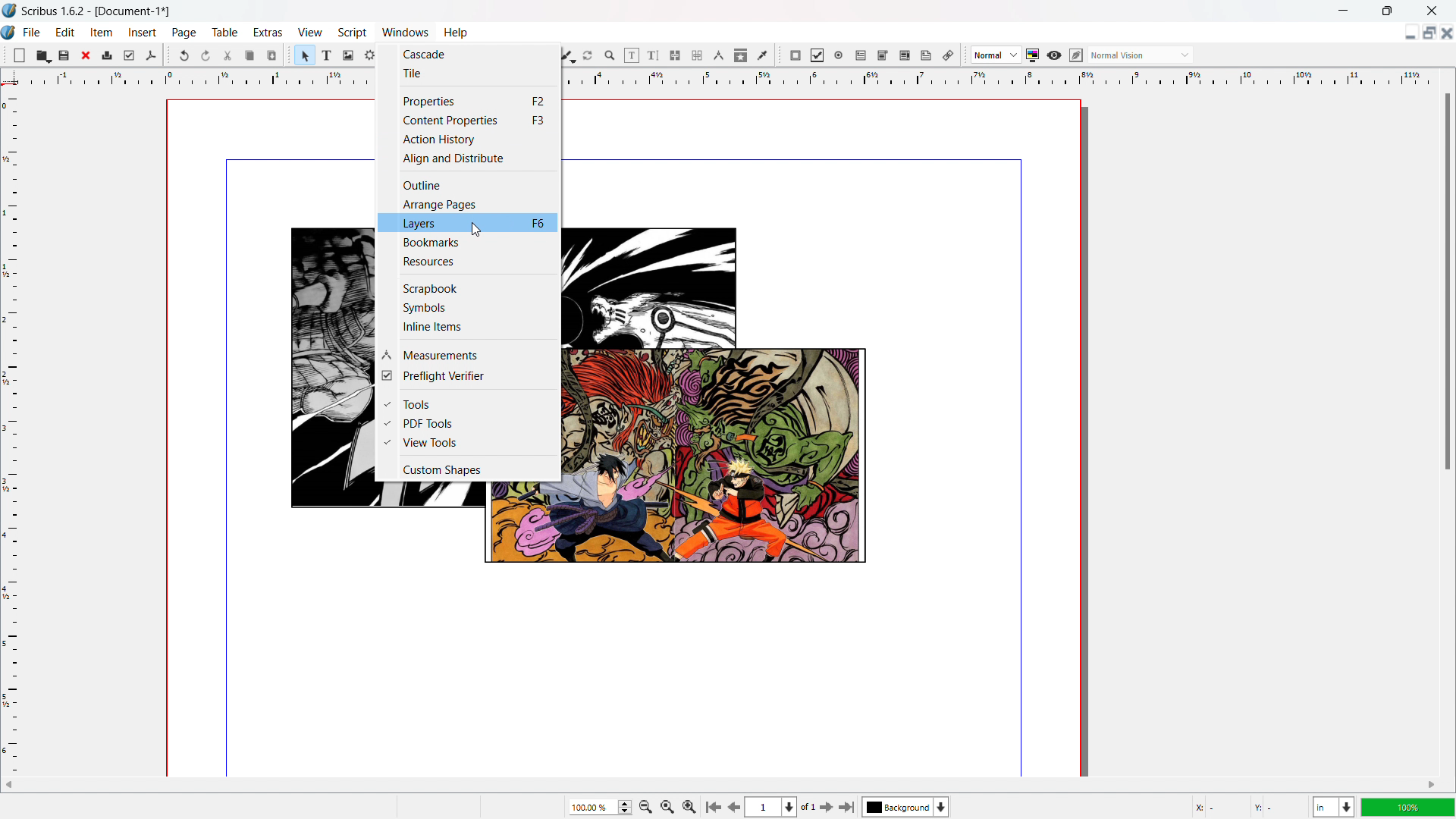 Image resolution: width=1456 pixels, height=819 pixels. What do you see at coordinates (1407, 33) in the screenshot?
I see `minimize document` at bounding box center [1407, 33].